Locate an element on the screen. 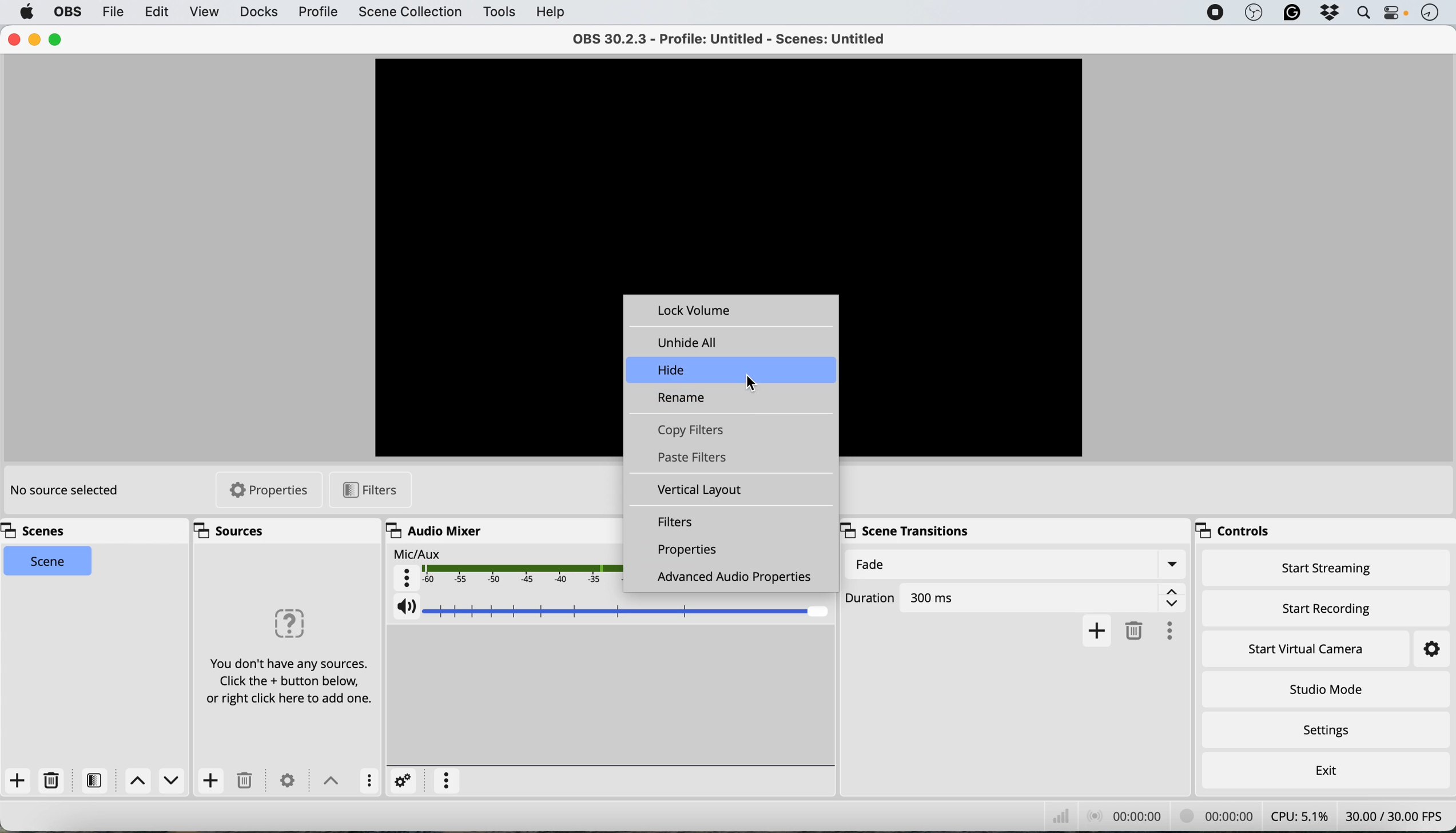  profile is located at coordinates (316, 14).